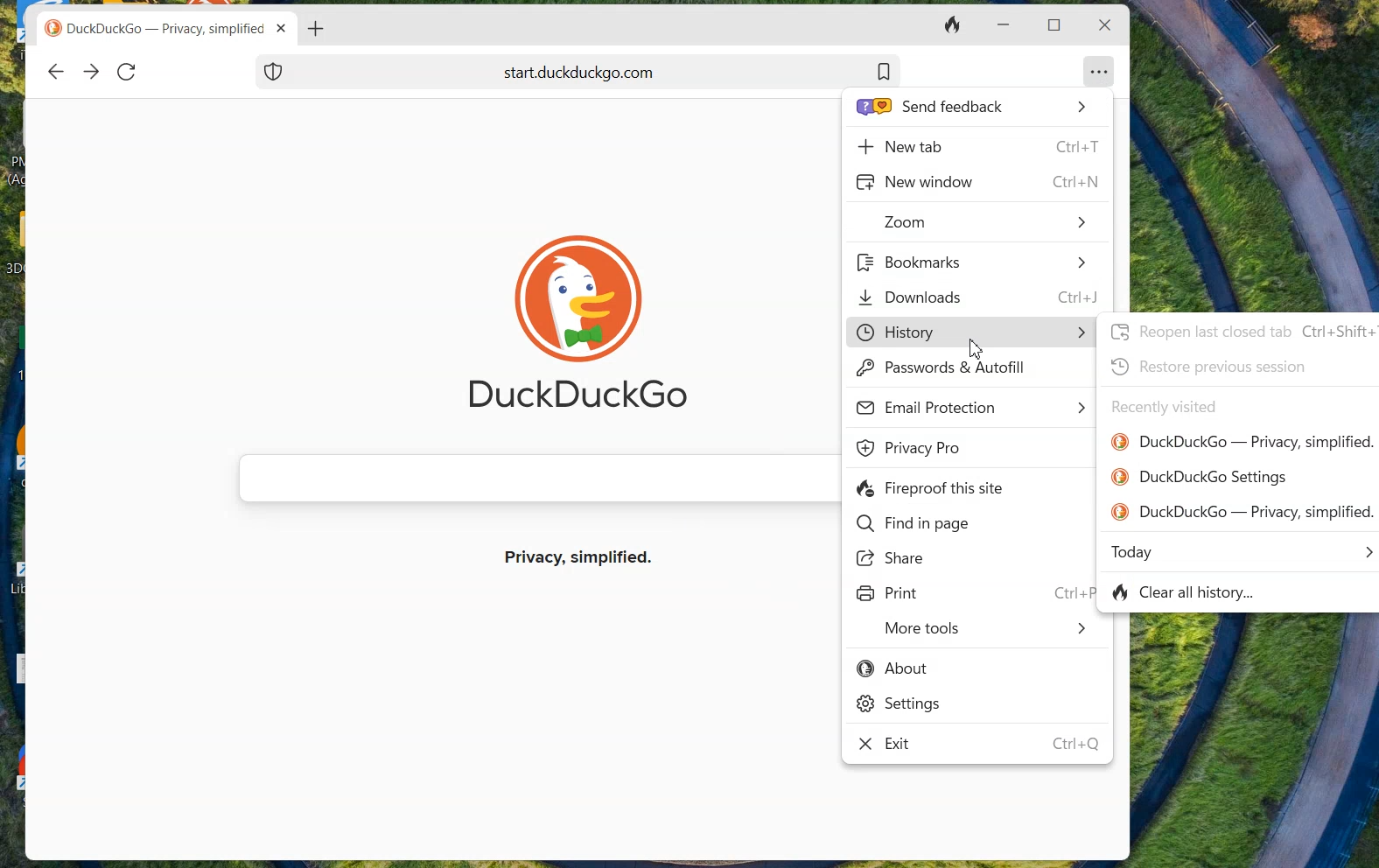 The image size is (1379, 868). I want to click on close, so click(1102, 25).